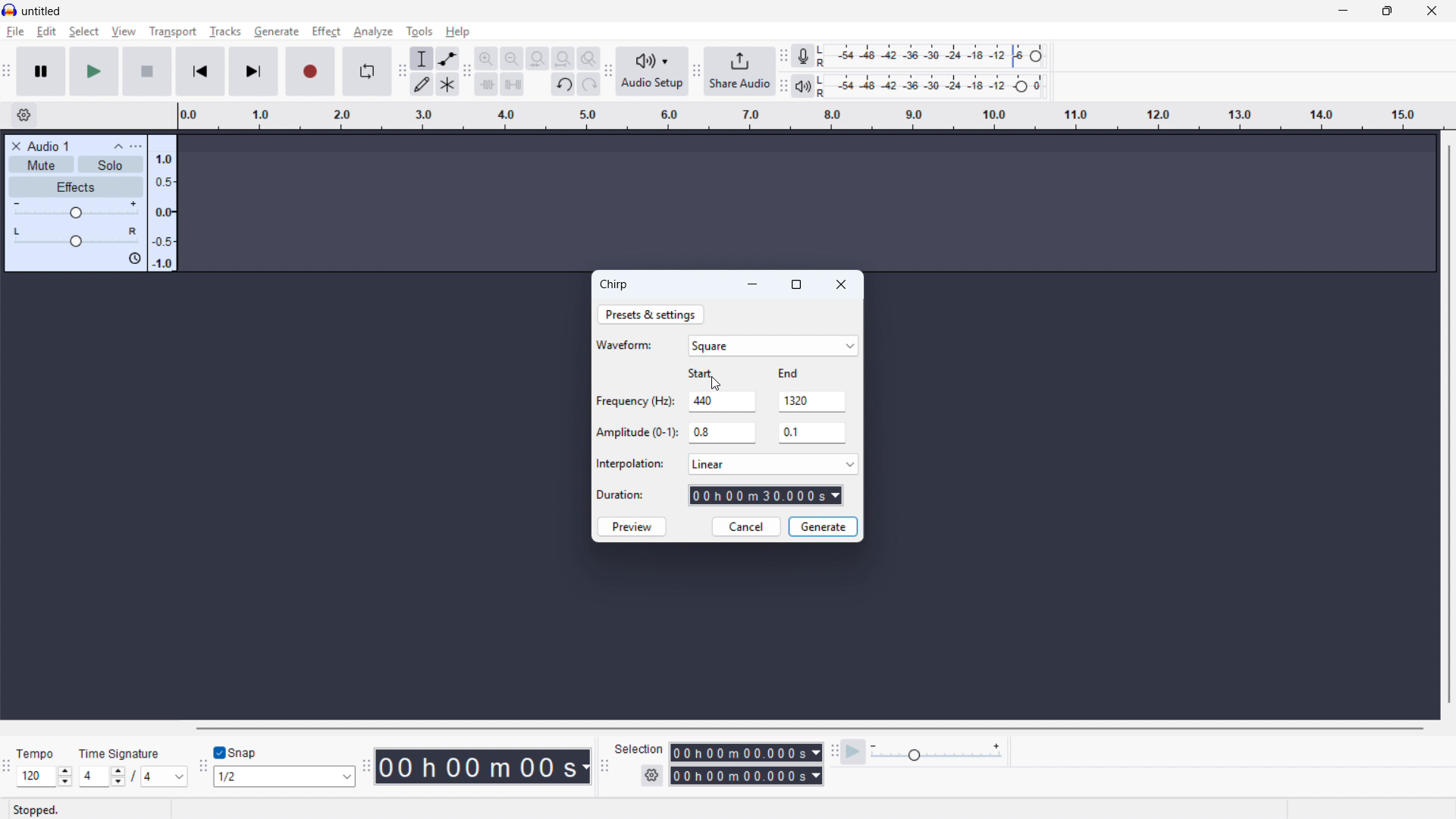  Describe the element at coordinates (811, 728) in the screenshot. I see `Horizontal scroll bar ` at that location.